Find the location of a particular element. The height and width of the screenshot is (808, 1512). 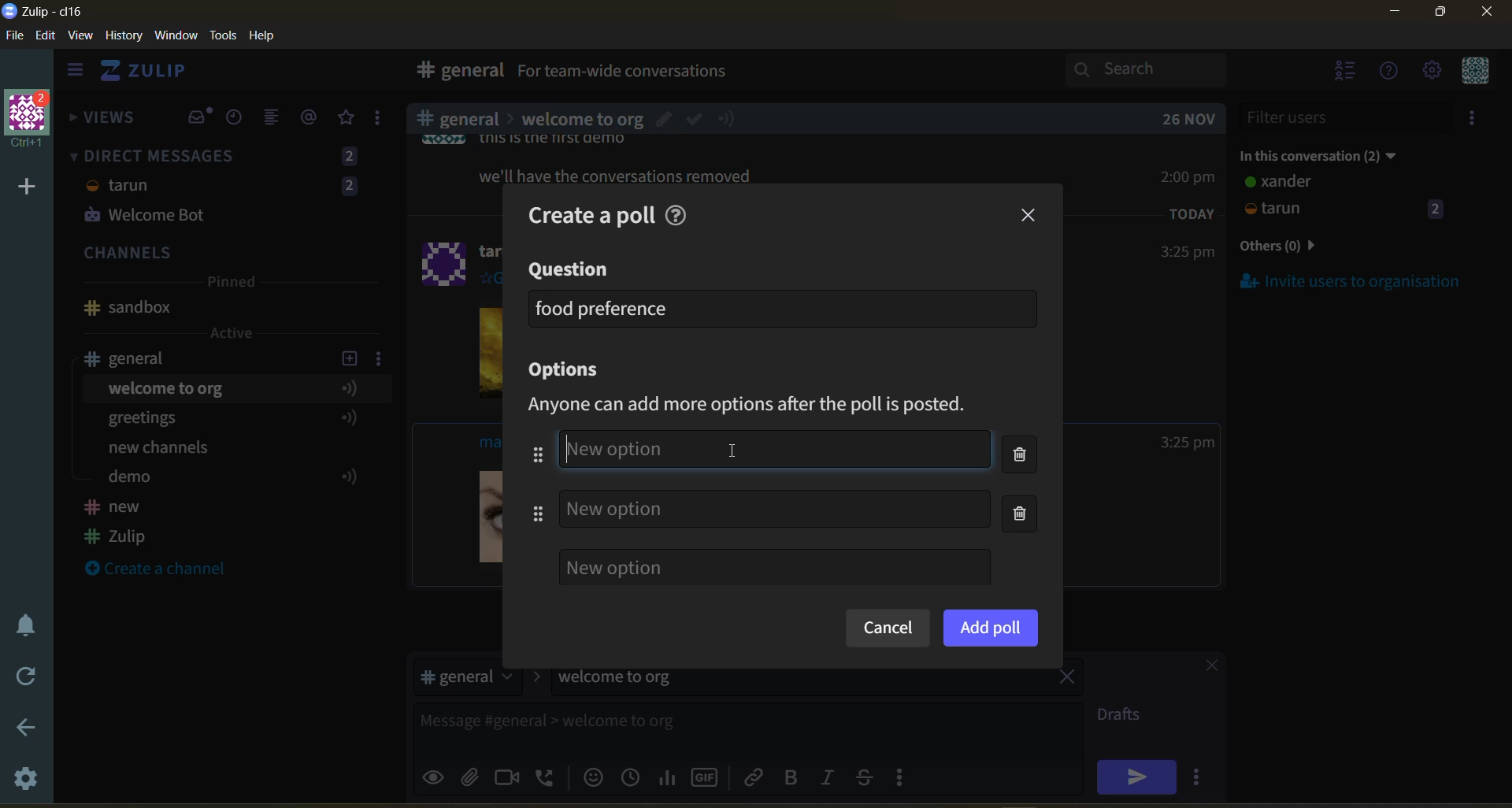

new option is located at coordinates (774, 567).